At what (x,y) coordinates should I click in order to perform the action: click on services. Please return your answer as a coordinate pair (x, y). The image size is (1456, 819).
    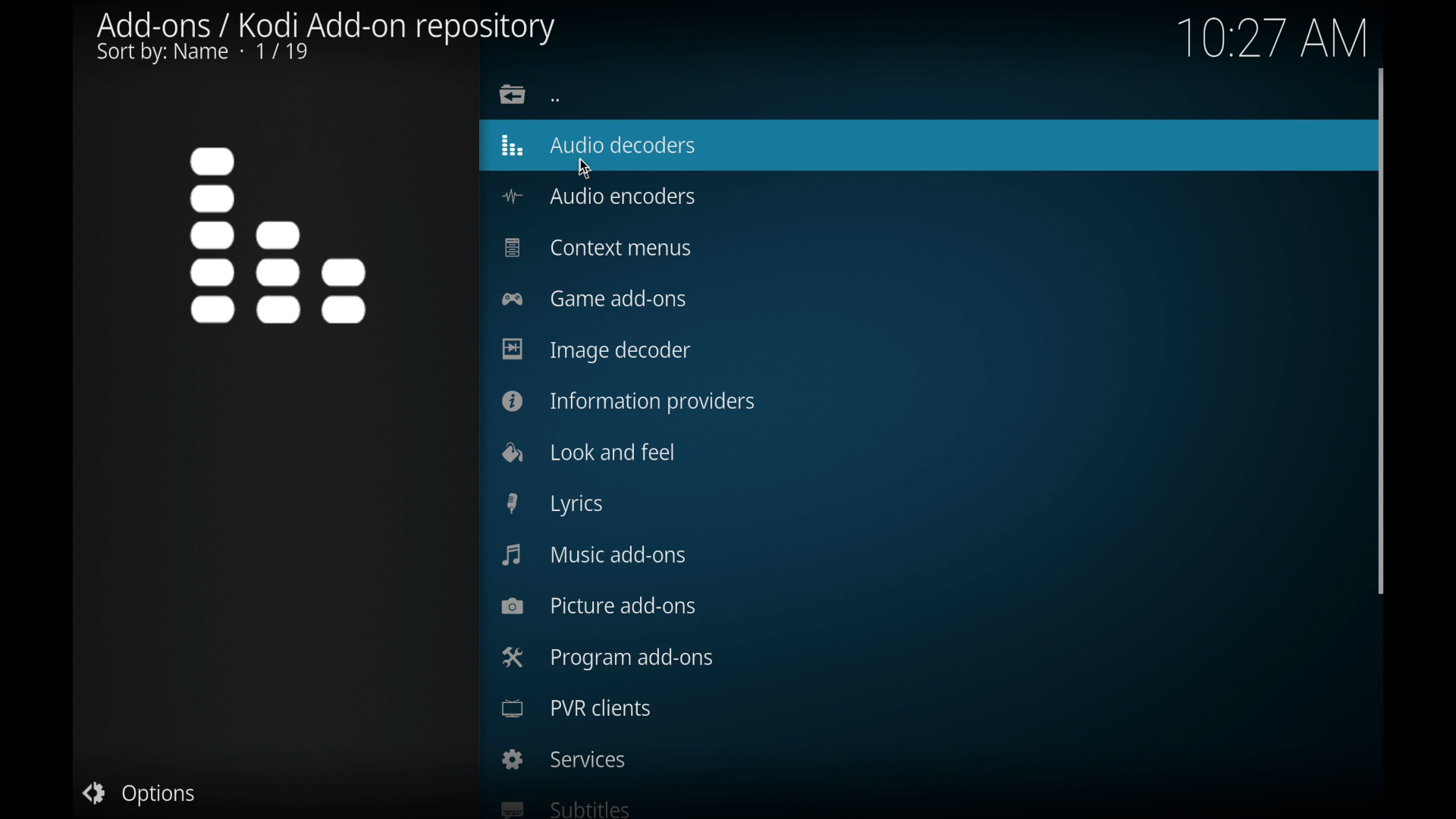
    Looking at the image, I should click on (565, 759).